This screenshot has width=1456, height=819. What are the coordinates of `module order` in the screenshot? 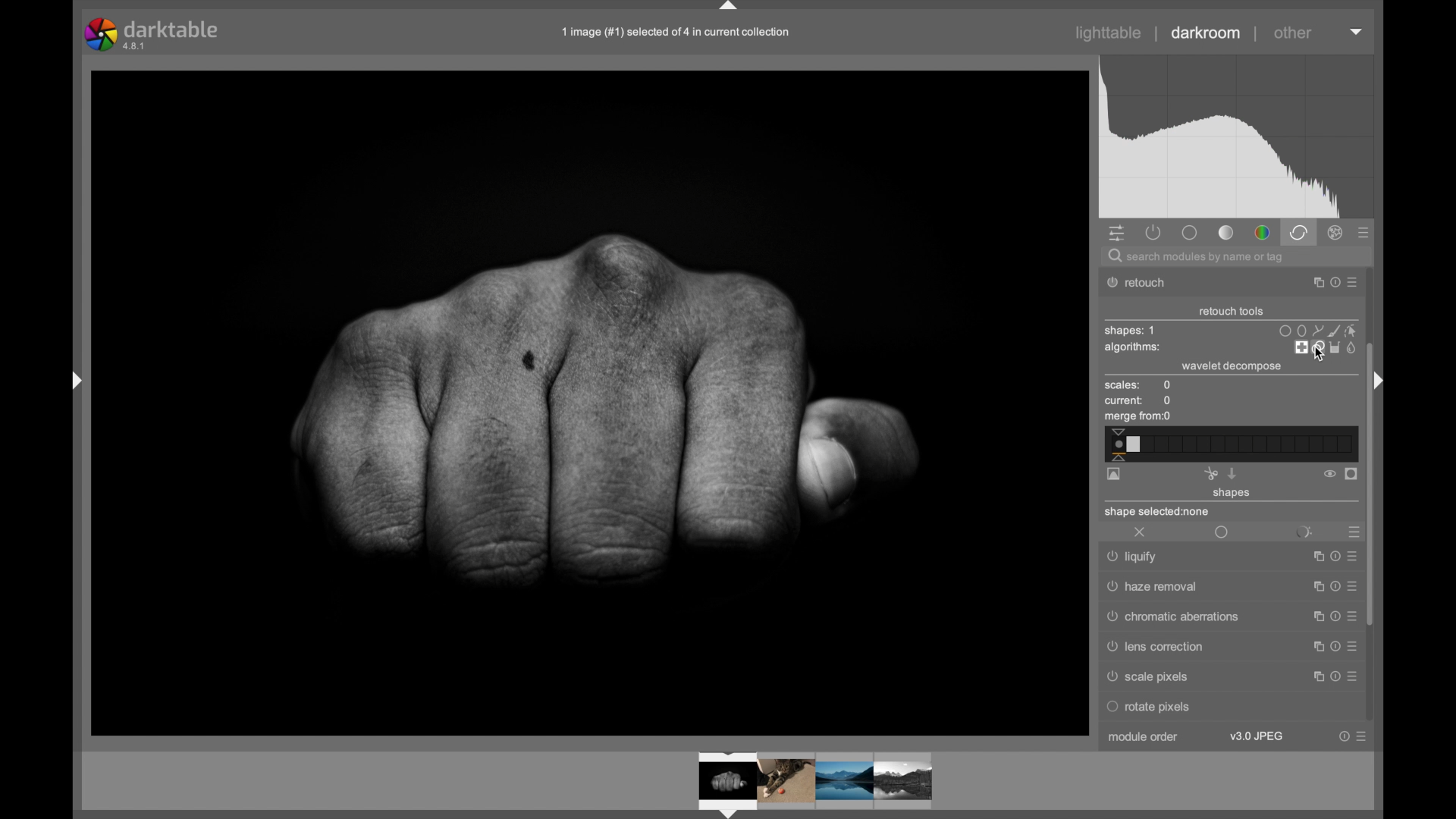 It's located at (1147, 739).